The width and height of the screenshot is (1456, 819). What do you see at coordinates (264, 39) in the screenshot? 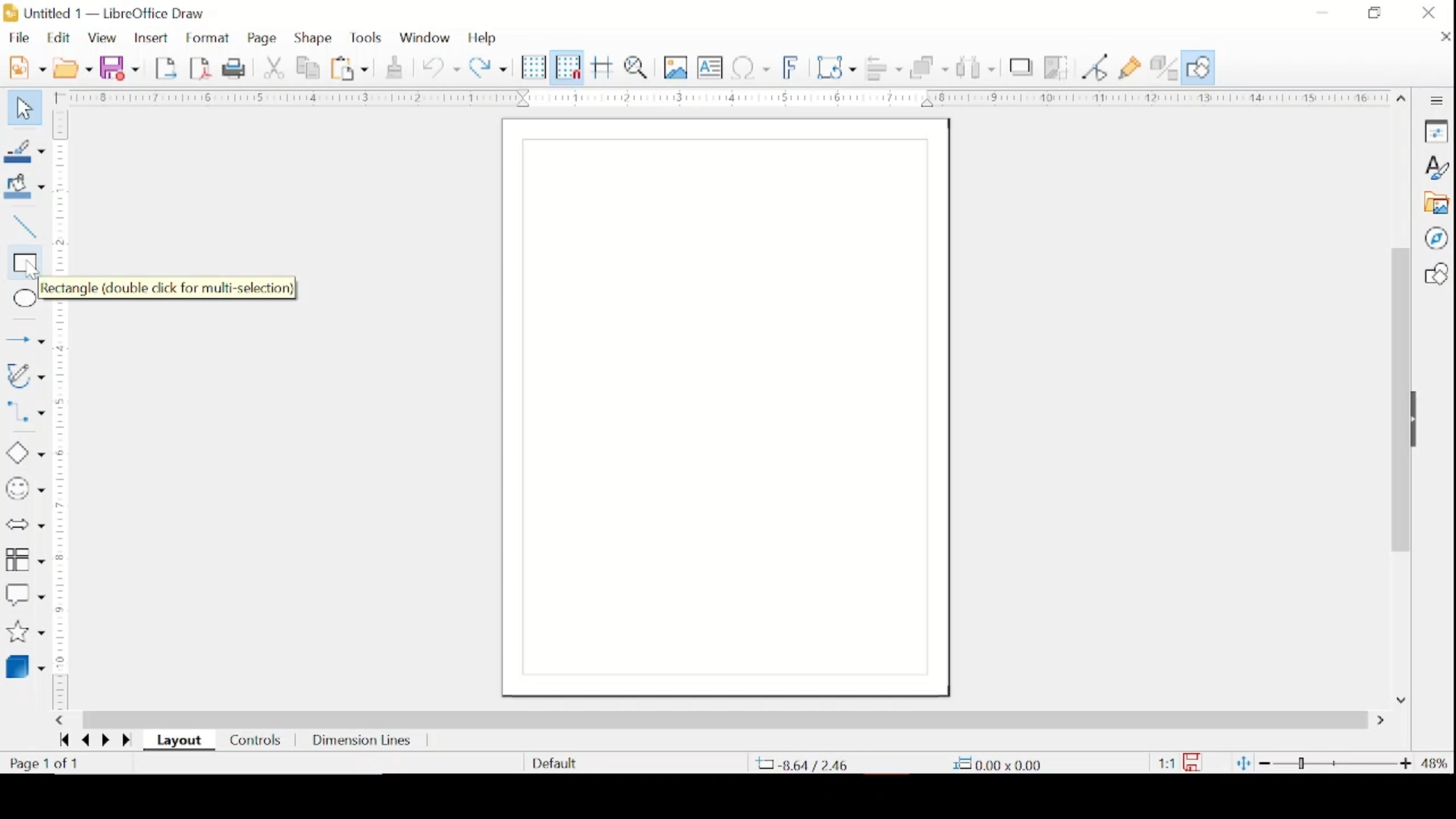
I see `page` at bounding box center [264, 39].